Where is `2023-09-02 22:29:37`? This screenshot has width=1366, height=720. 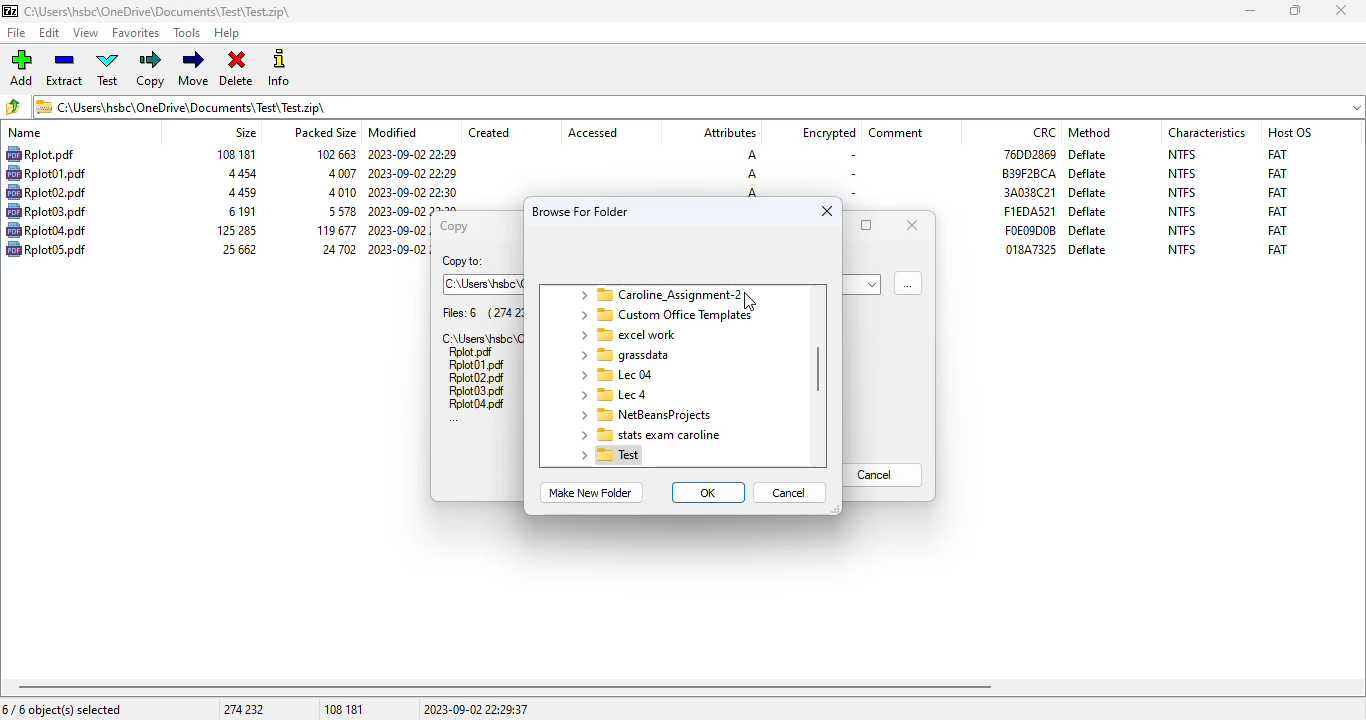
2023-09-02 22:29:37 is located at coordinates (476, 709).